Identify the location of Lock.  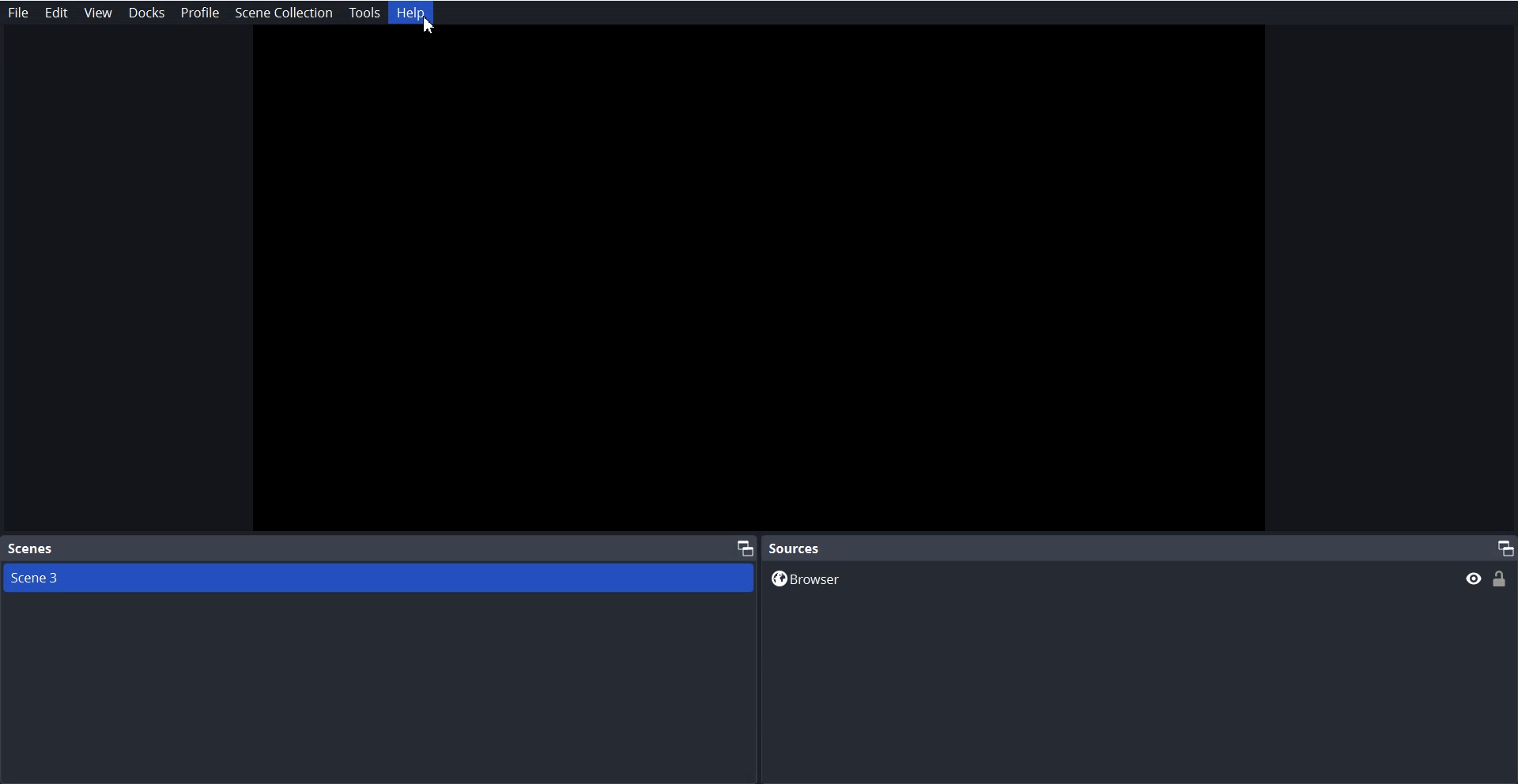
(1501, 580).